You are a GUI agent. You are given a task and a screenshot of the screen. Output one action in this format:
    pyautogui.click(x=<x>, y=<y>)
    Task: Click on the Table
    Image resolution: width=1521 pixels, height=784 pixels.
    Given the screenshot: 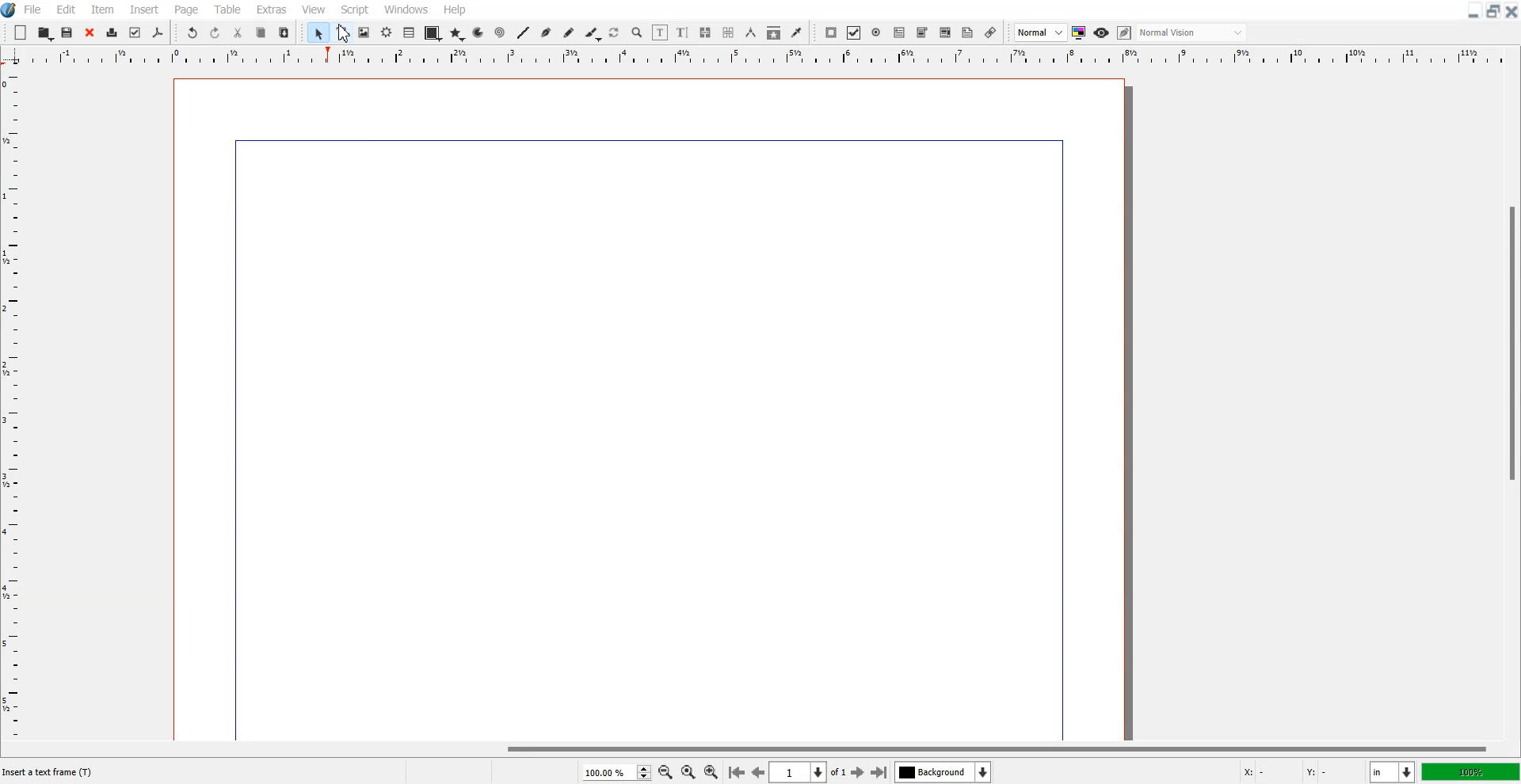 What is the action you would take?
    pyautogui.click(x=410, y=32)
    